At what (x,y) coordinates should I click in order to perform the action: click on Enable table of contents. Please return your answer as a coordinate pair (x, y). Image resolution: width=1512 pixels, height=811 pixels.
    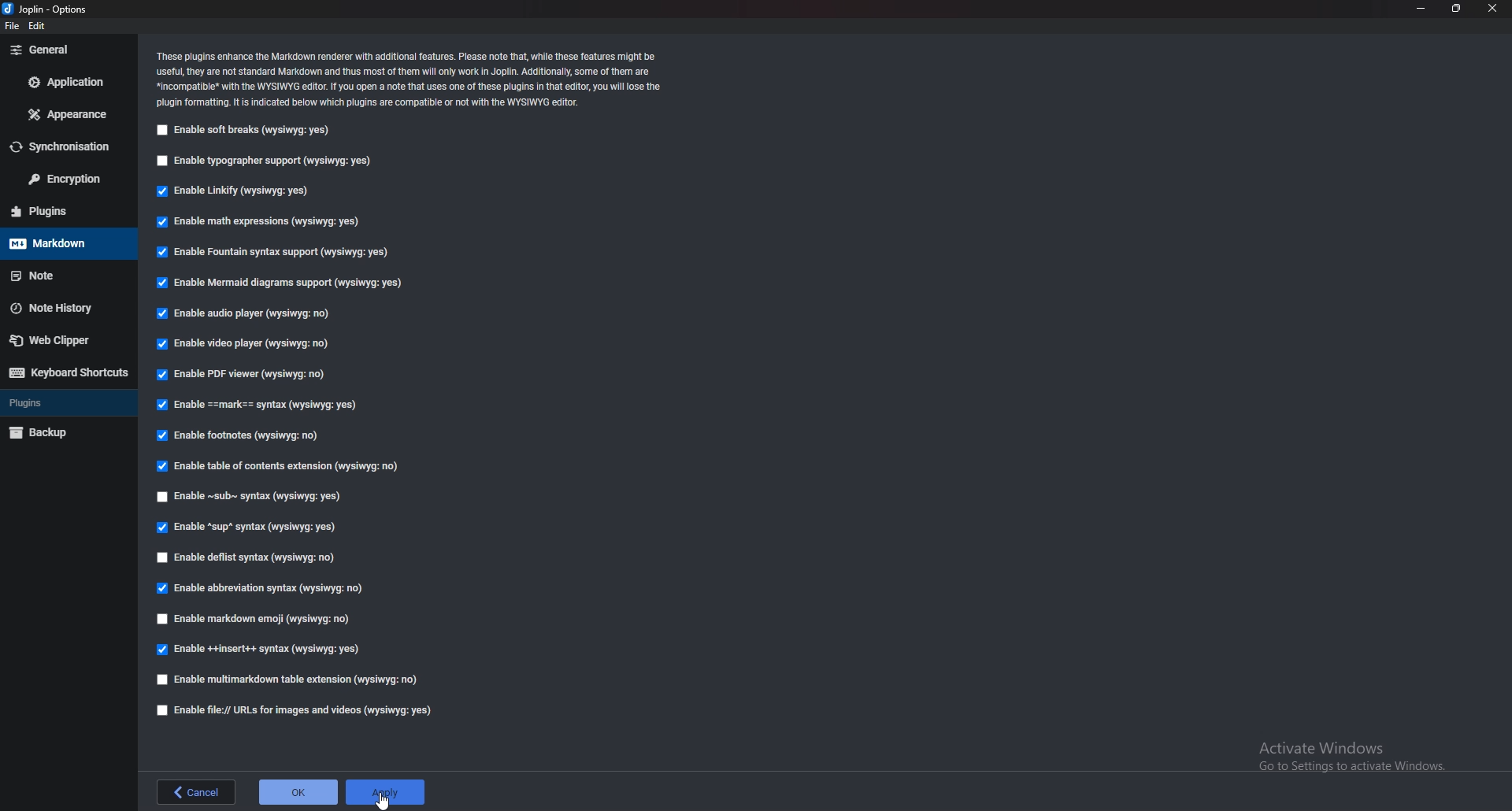
    Looking at the image, I should click on (286, 467).